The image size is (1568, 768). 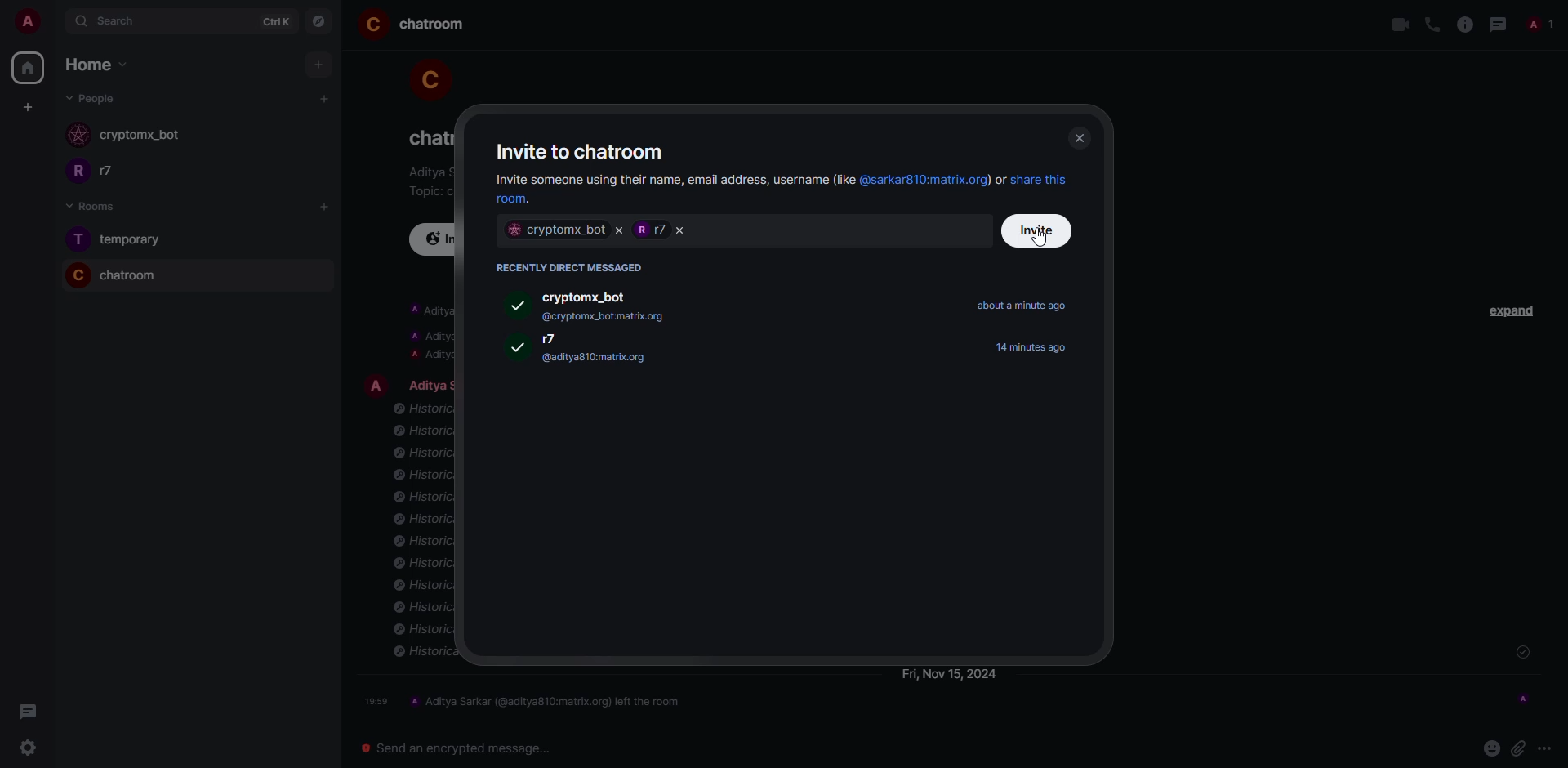 I want to click on profile, so click(x=426, y=76).